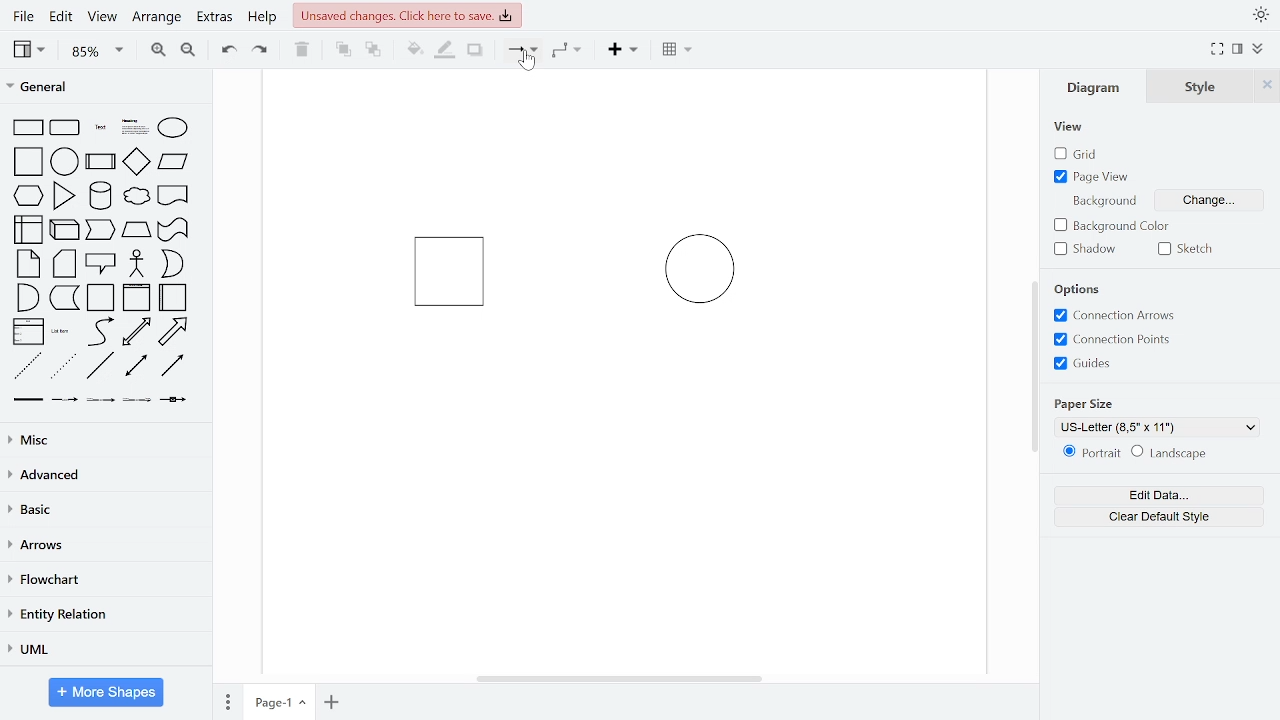 This screenshot has height=720, width=1280. I want to click on current page, so click(279, 701).